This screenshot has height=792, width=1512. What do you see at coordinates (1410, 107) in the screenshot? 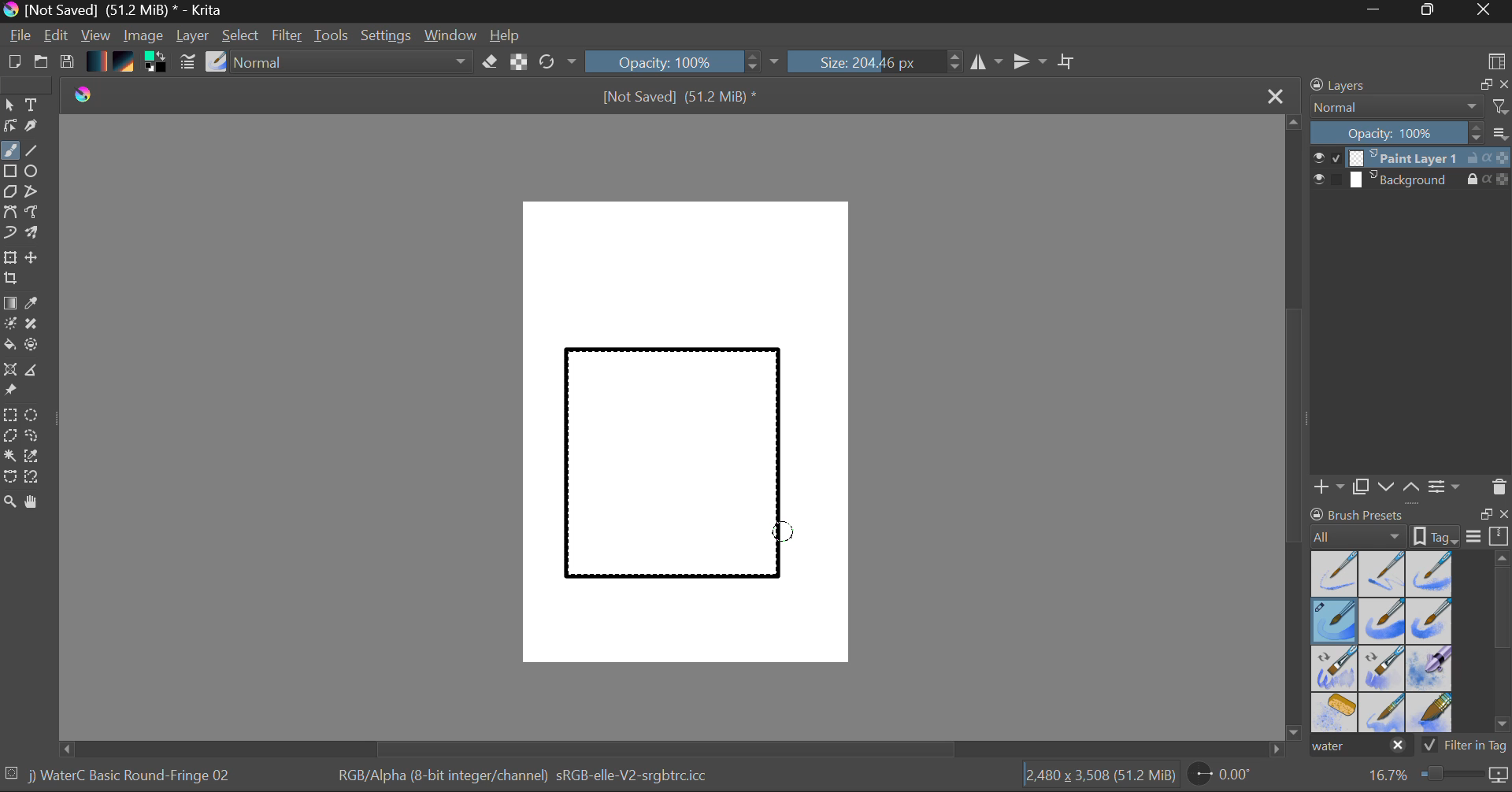
I see `Blending Mode` at bounding box center [1410, 107].